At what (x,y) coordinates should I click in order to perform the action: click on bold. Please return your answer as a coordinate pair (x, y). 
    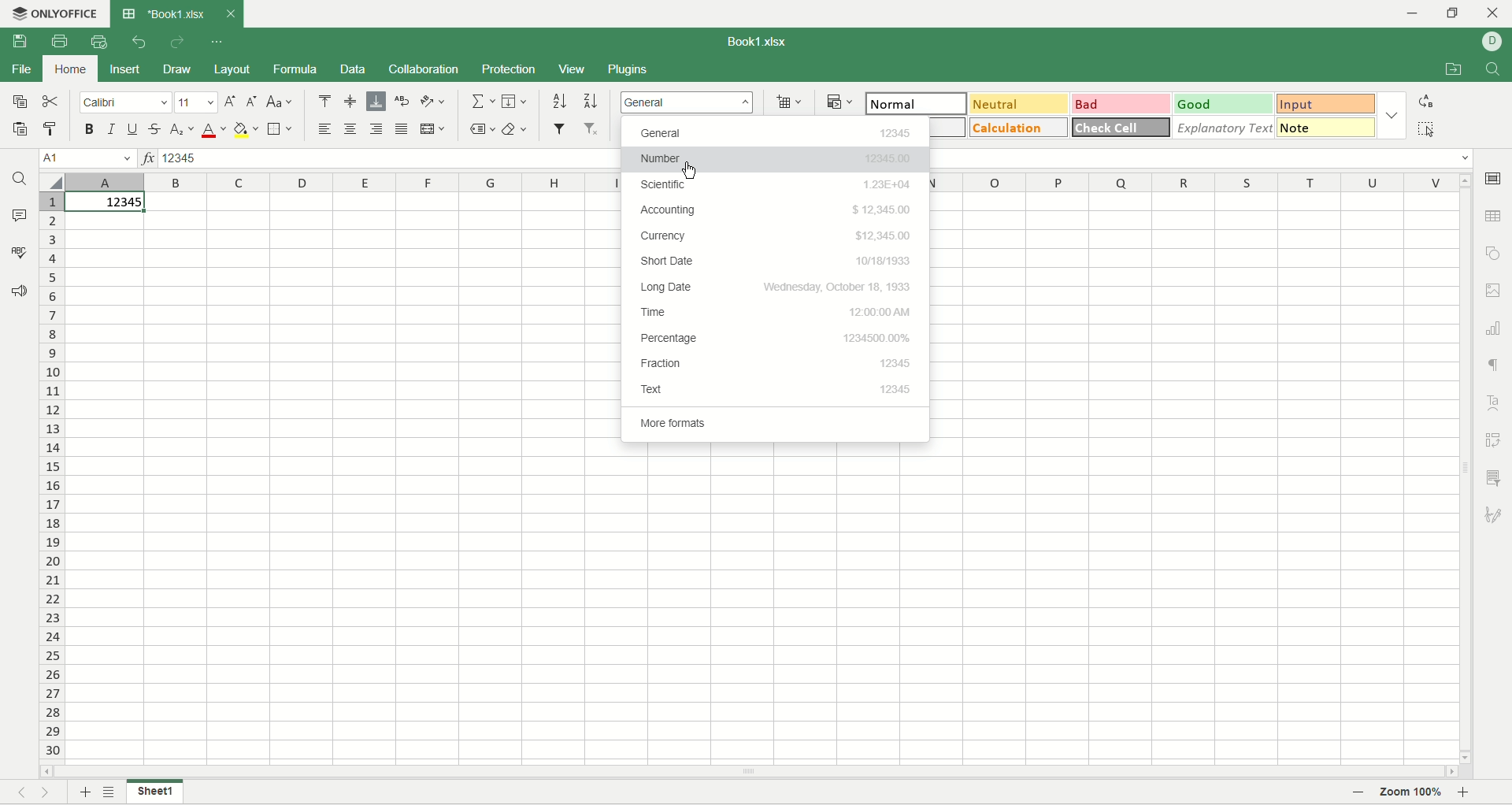
    Looking at the image, I should click on (91, 130).